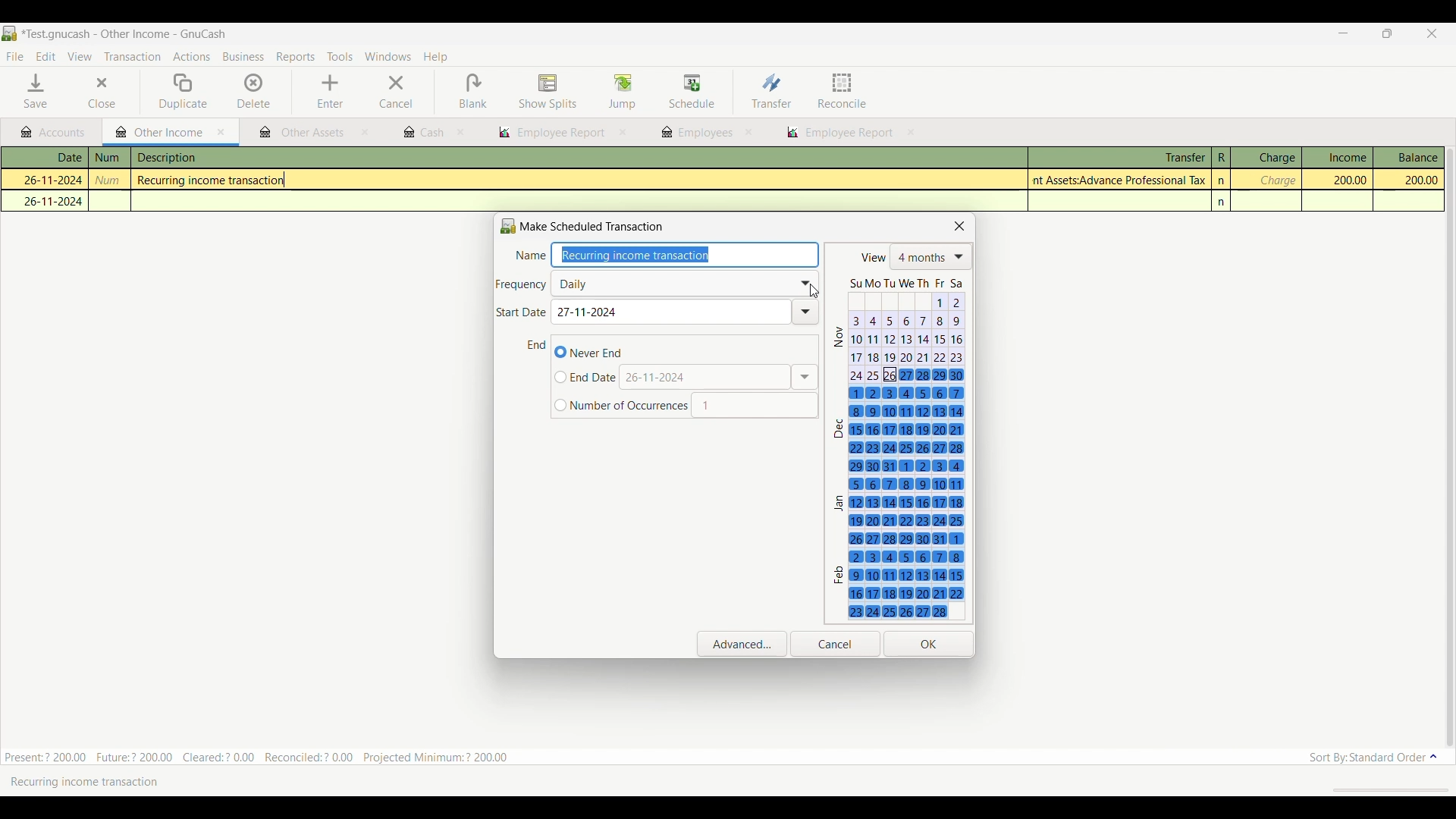  I want to click on Transaction menu, so click(132, 57).